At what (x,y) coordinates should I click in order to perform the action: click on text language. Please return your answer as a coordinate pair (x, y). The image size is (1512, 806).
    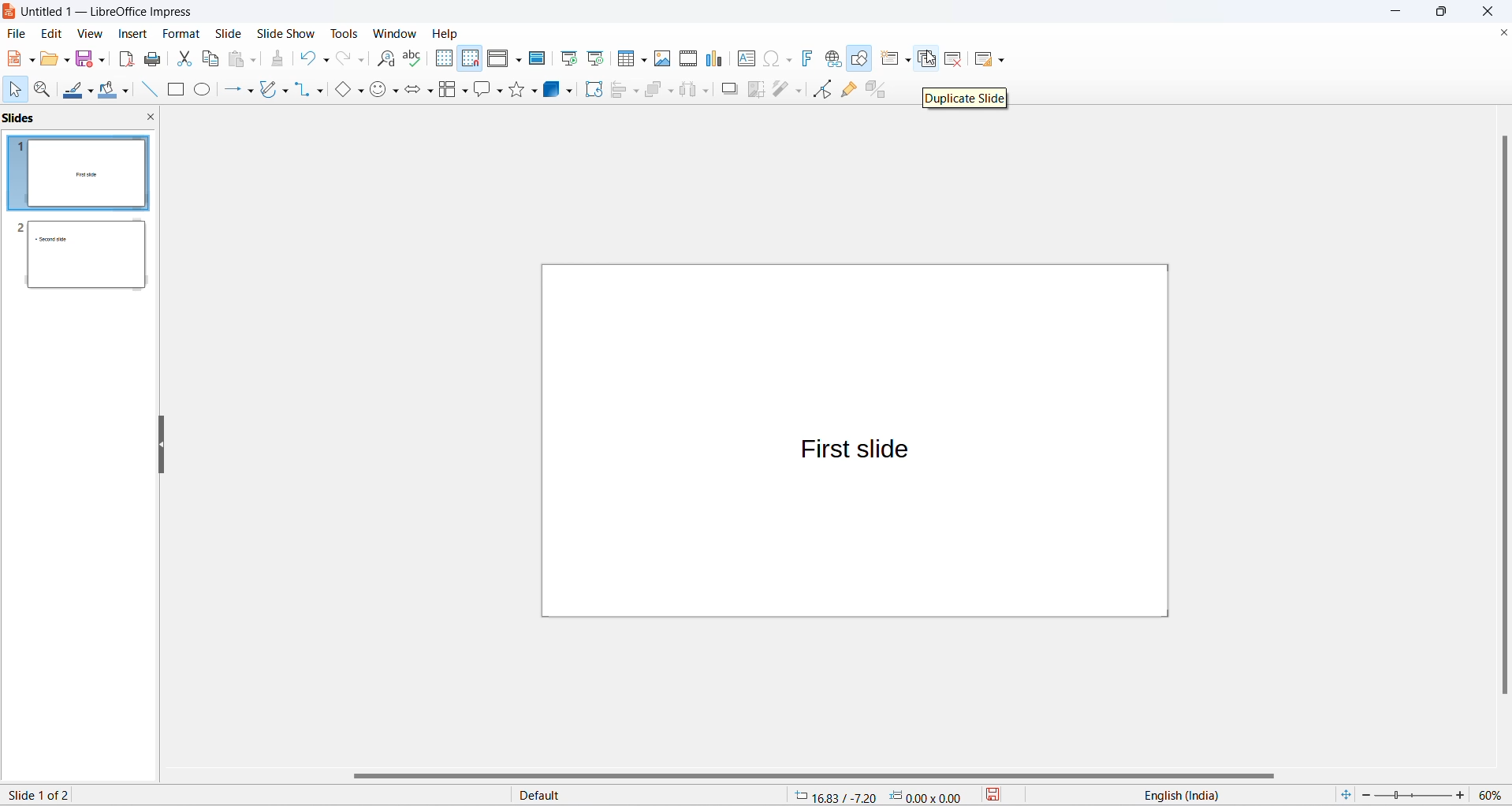
    Looking at the image, I should click on (1168, 796).